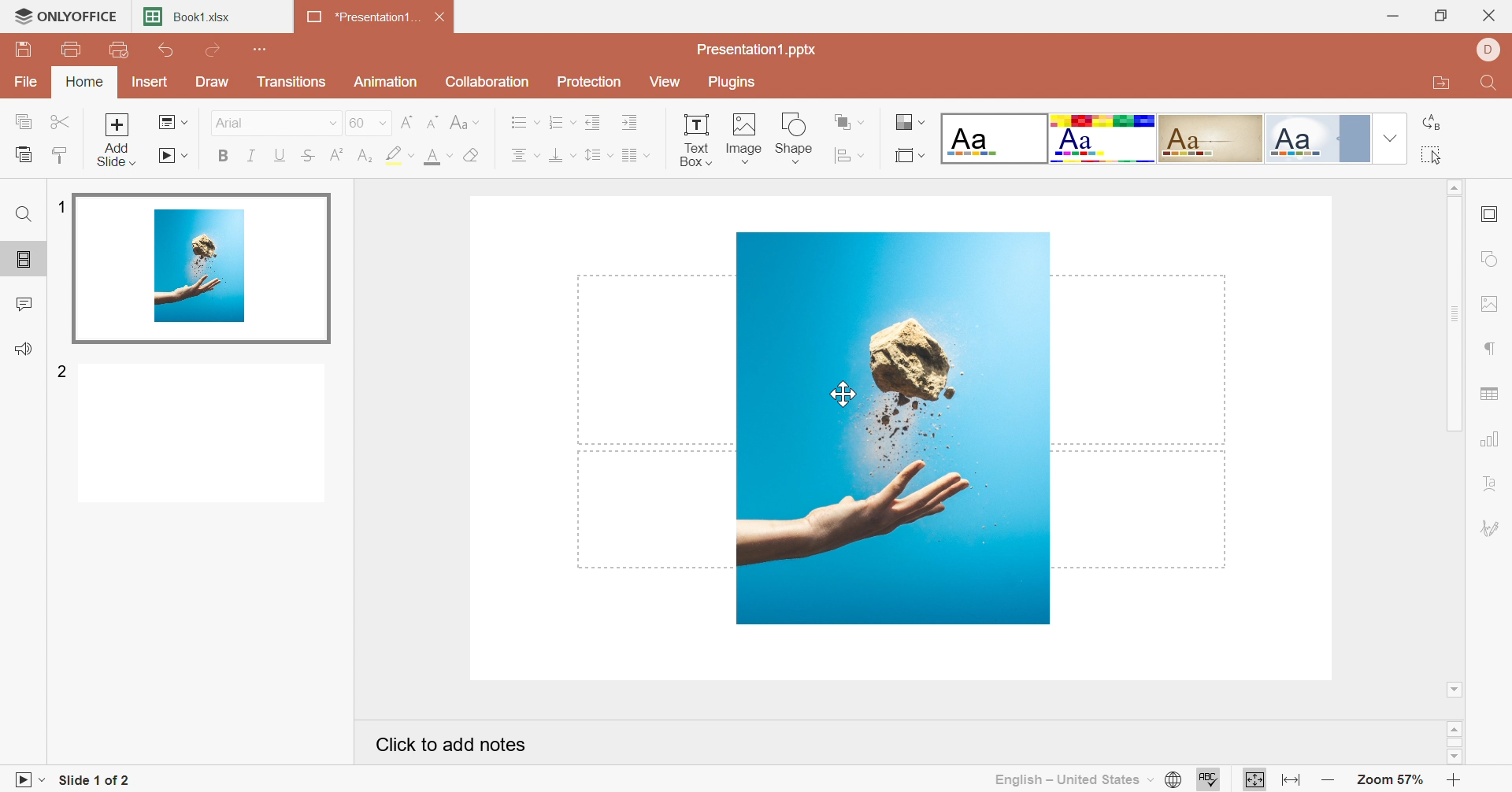  Describe the element at coordinates (846, 395) in the screenshot. I see `cursor` at that location.